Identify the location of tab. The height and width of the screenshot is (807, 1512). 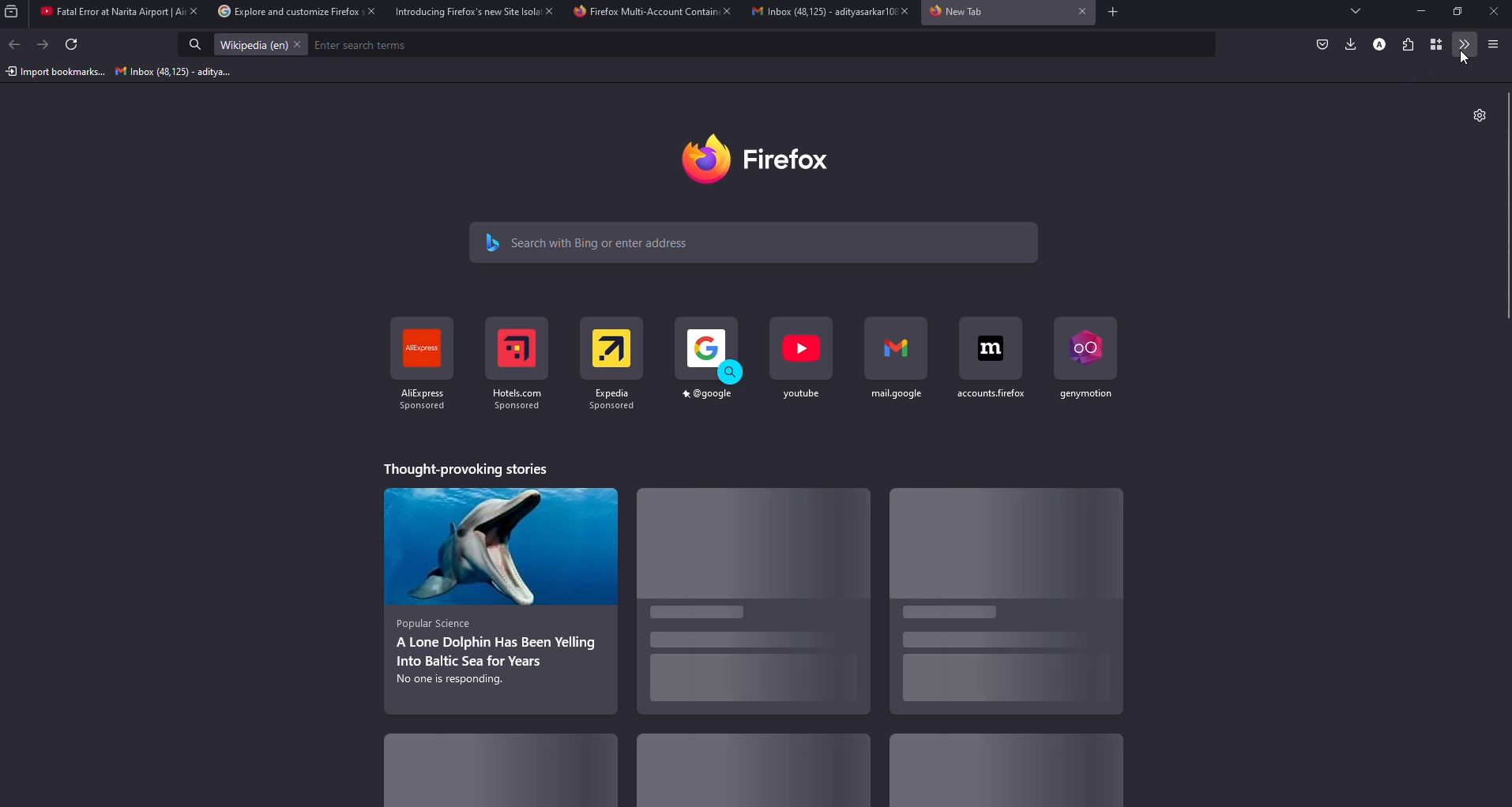
(959, 13).